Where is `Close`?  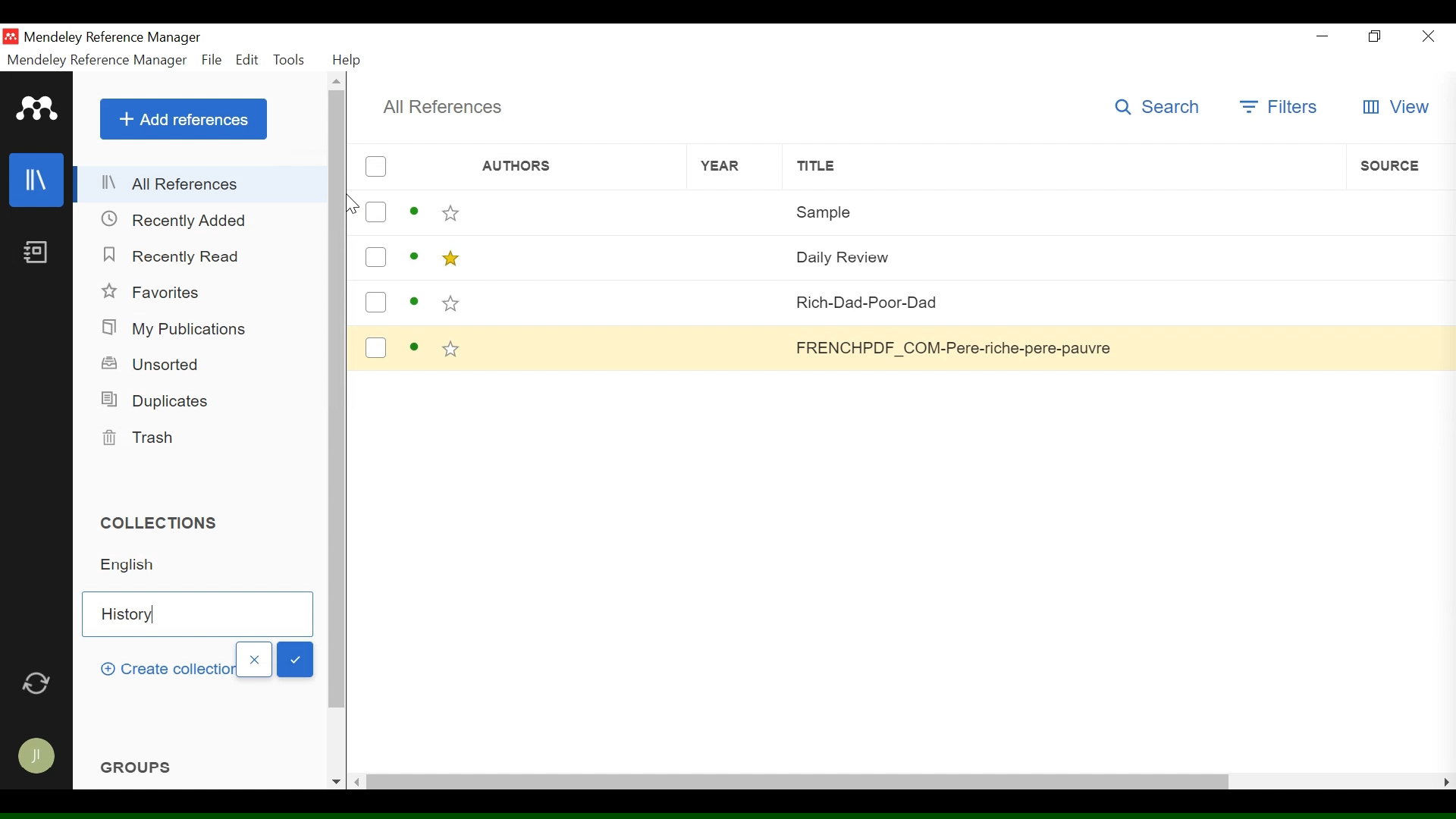
Close is located at coordinates (253, 661).